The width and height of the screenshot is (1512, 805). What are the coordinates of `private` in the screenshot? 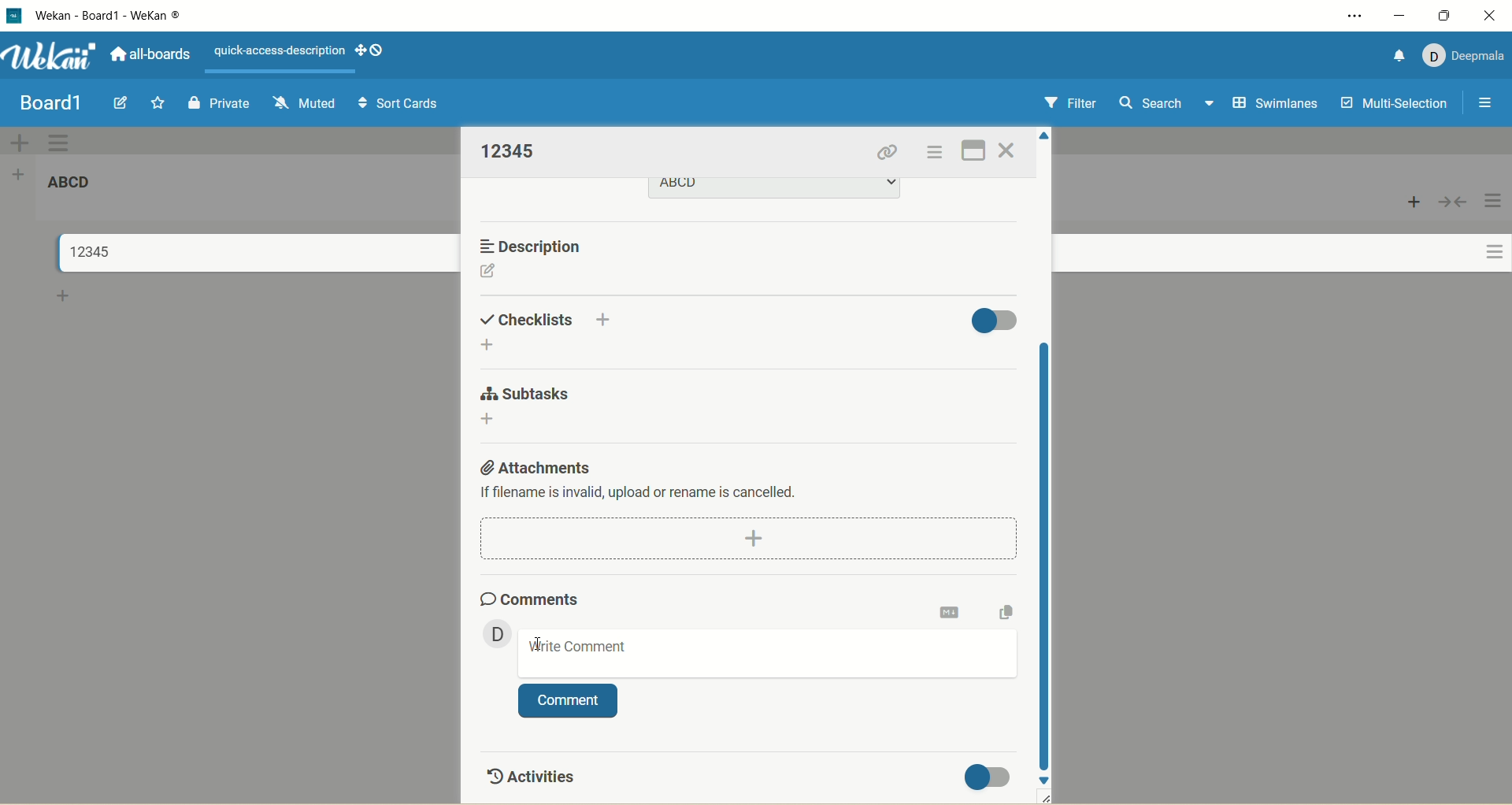 It's located at (220, 101).